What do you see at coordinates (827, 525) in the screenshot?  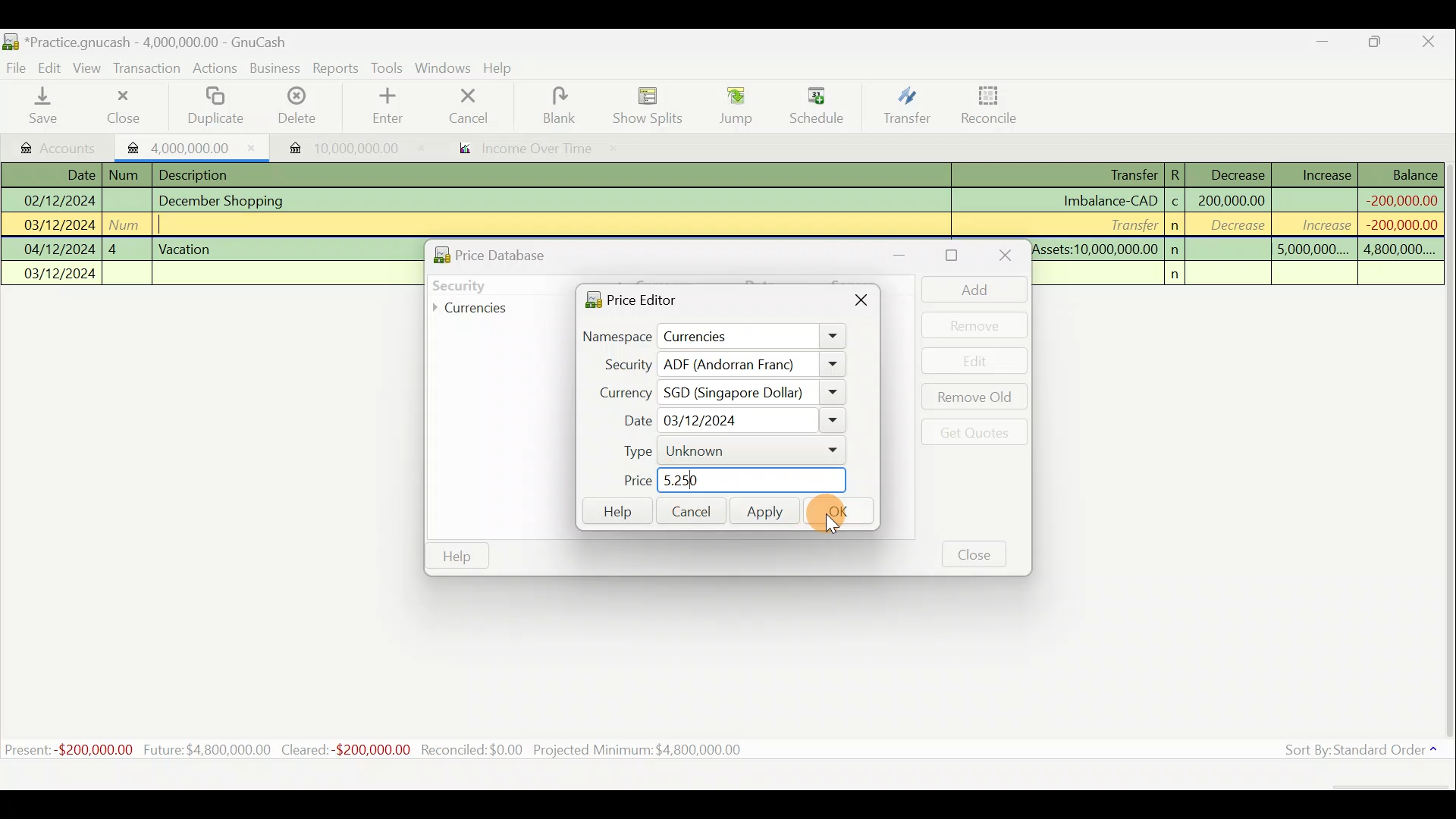 I see `Cursor` at bounding box center [827, 525].